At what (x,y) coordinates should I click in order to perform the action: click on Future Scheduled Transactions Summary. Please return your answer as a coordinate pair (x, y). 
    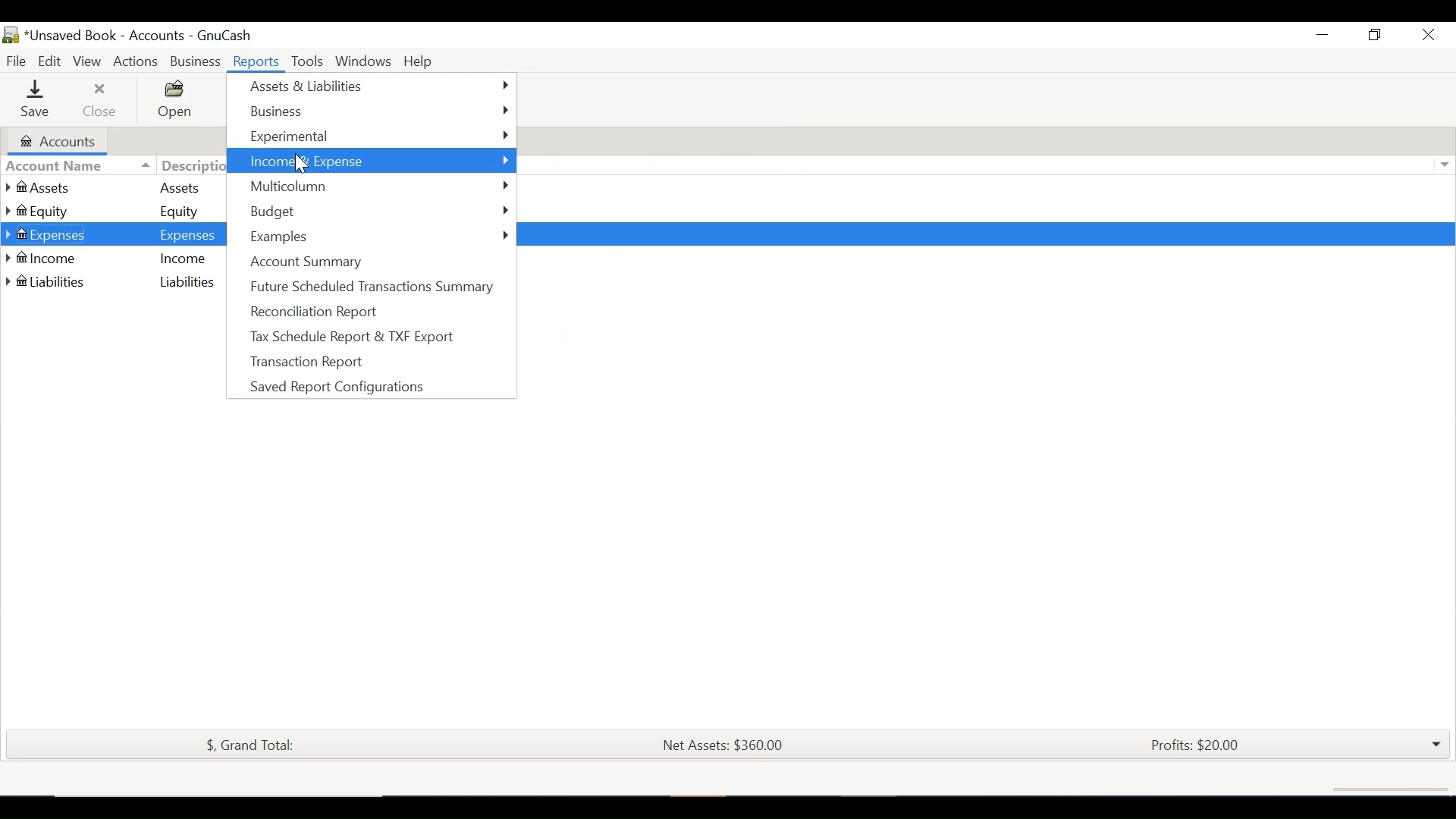
    Looking at the image, I should click on (363, 287).